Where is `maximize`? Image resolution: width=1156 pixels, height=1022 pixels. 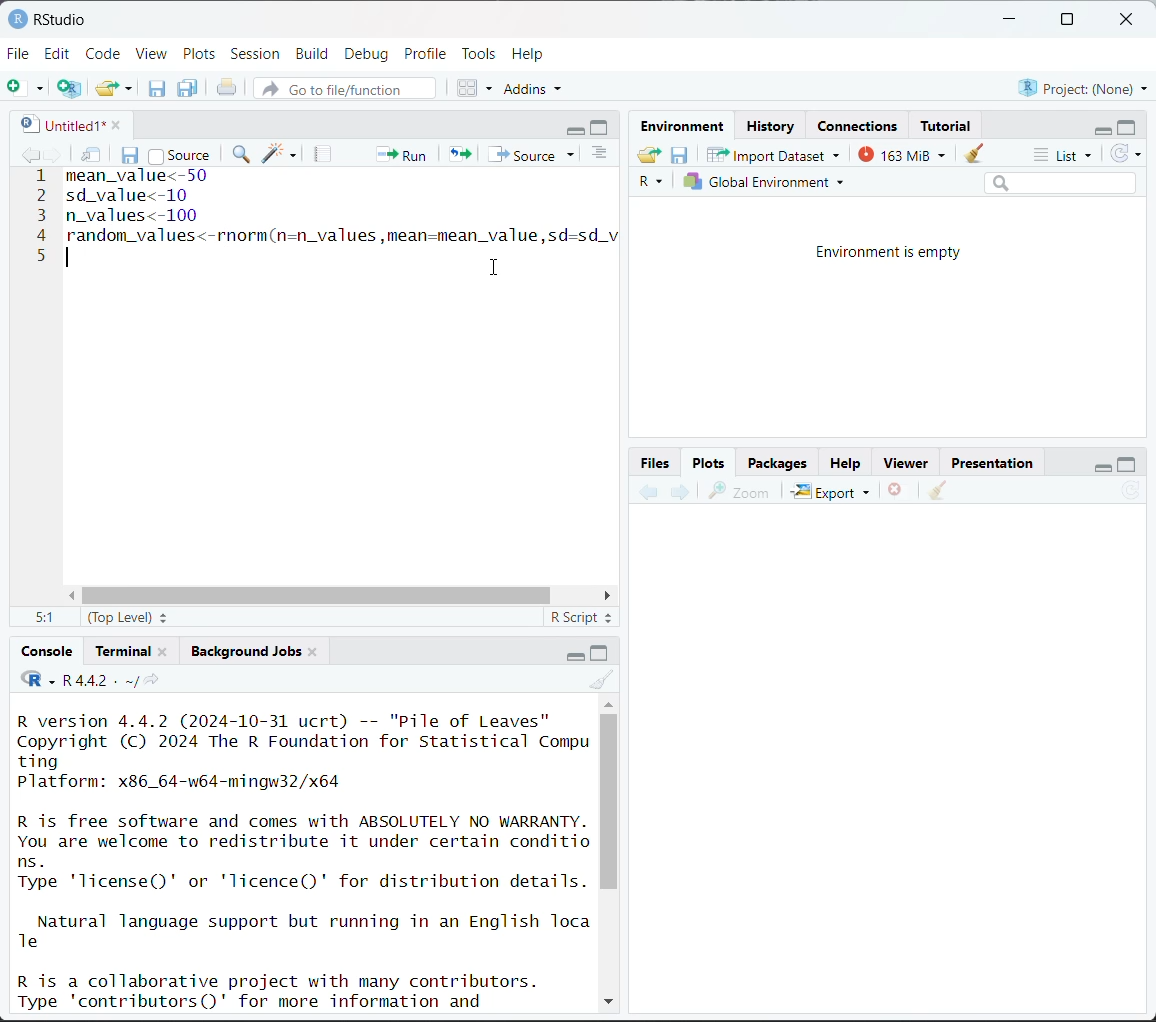
maximize is located at coordinates (1127, 463).